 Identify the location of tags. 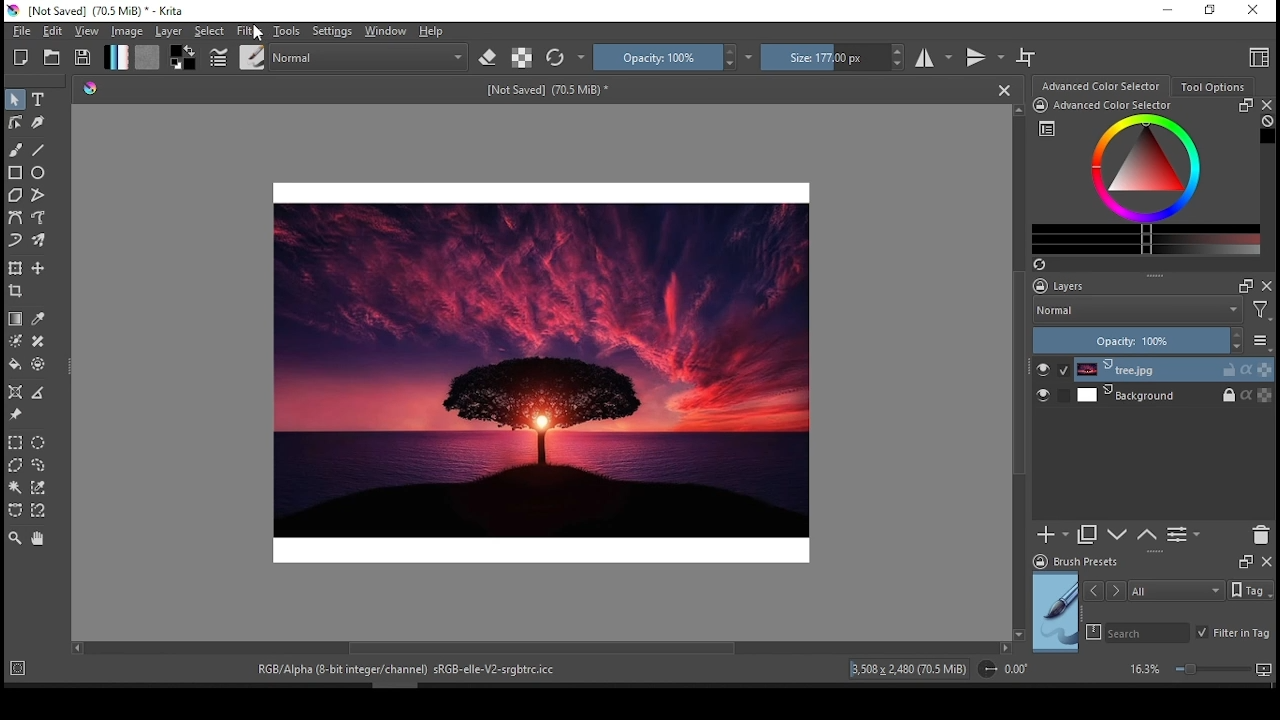
(1153, 590).